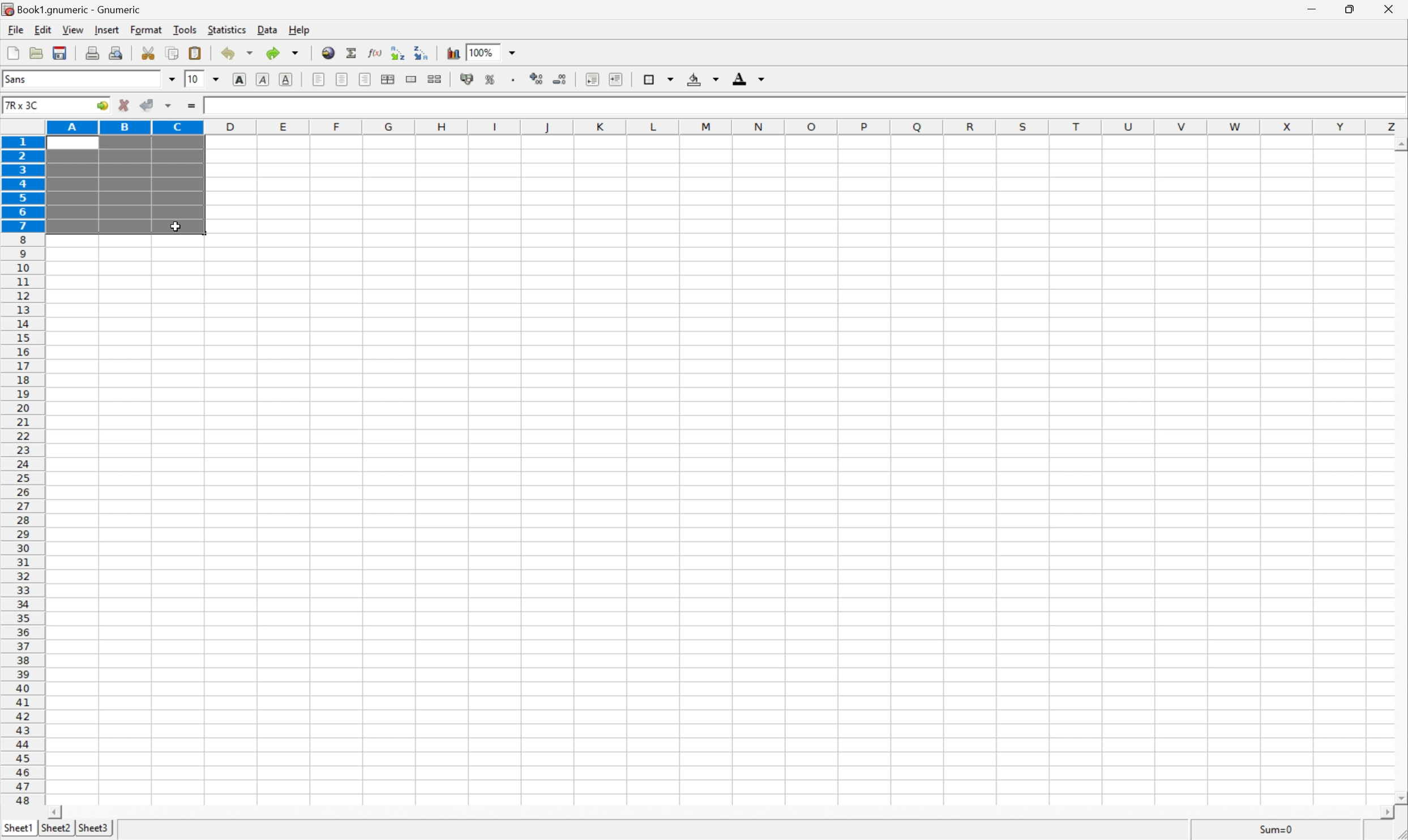 The height and width of the screenshot is (840, 1408). Describe the element at coordinates (203, 80) in the screenshot. I see `Font size 10` at that location.